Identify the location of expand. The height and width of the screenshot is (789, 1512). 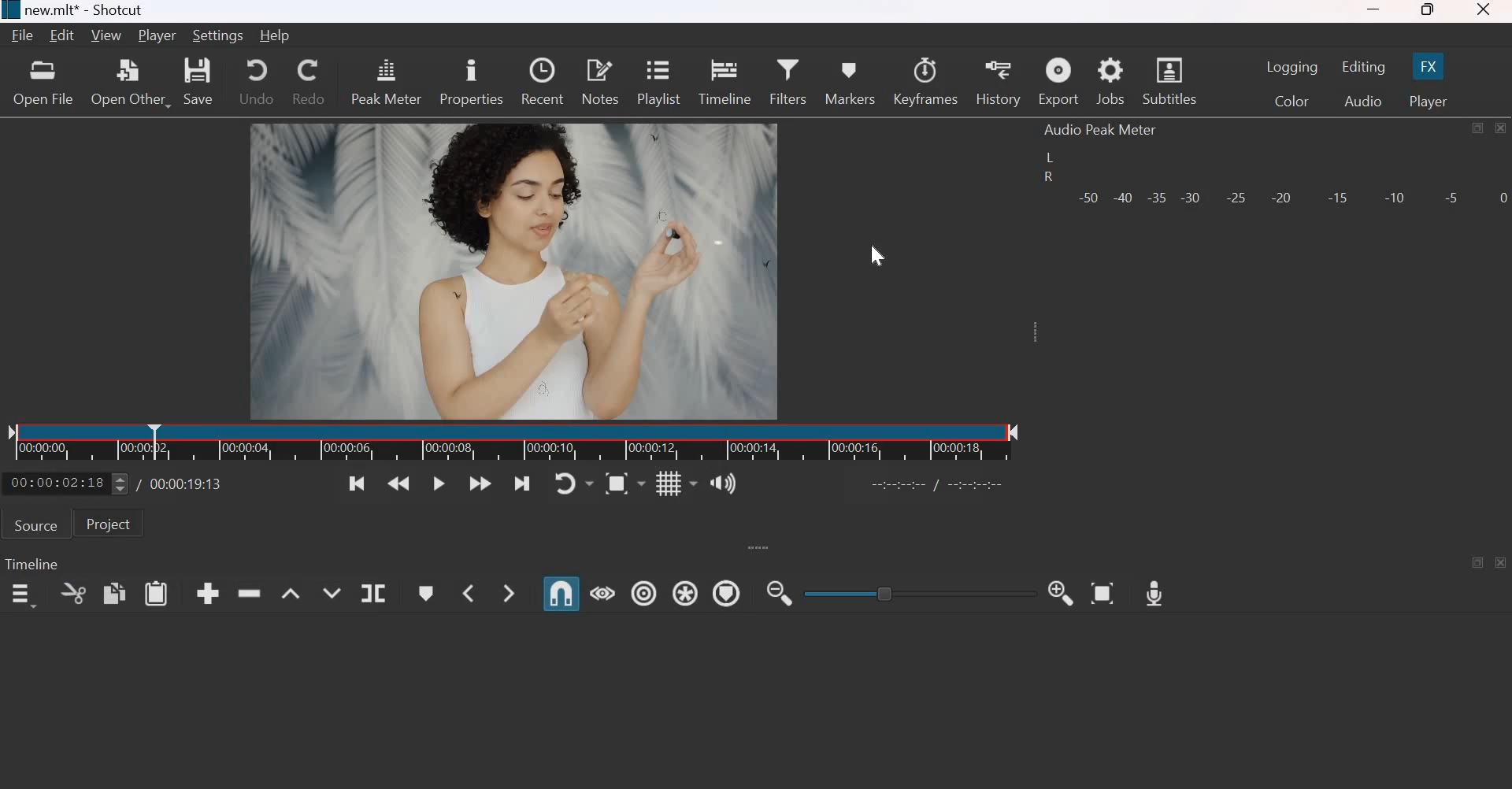
(766, 547).